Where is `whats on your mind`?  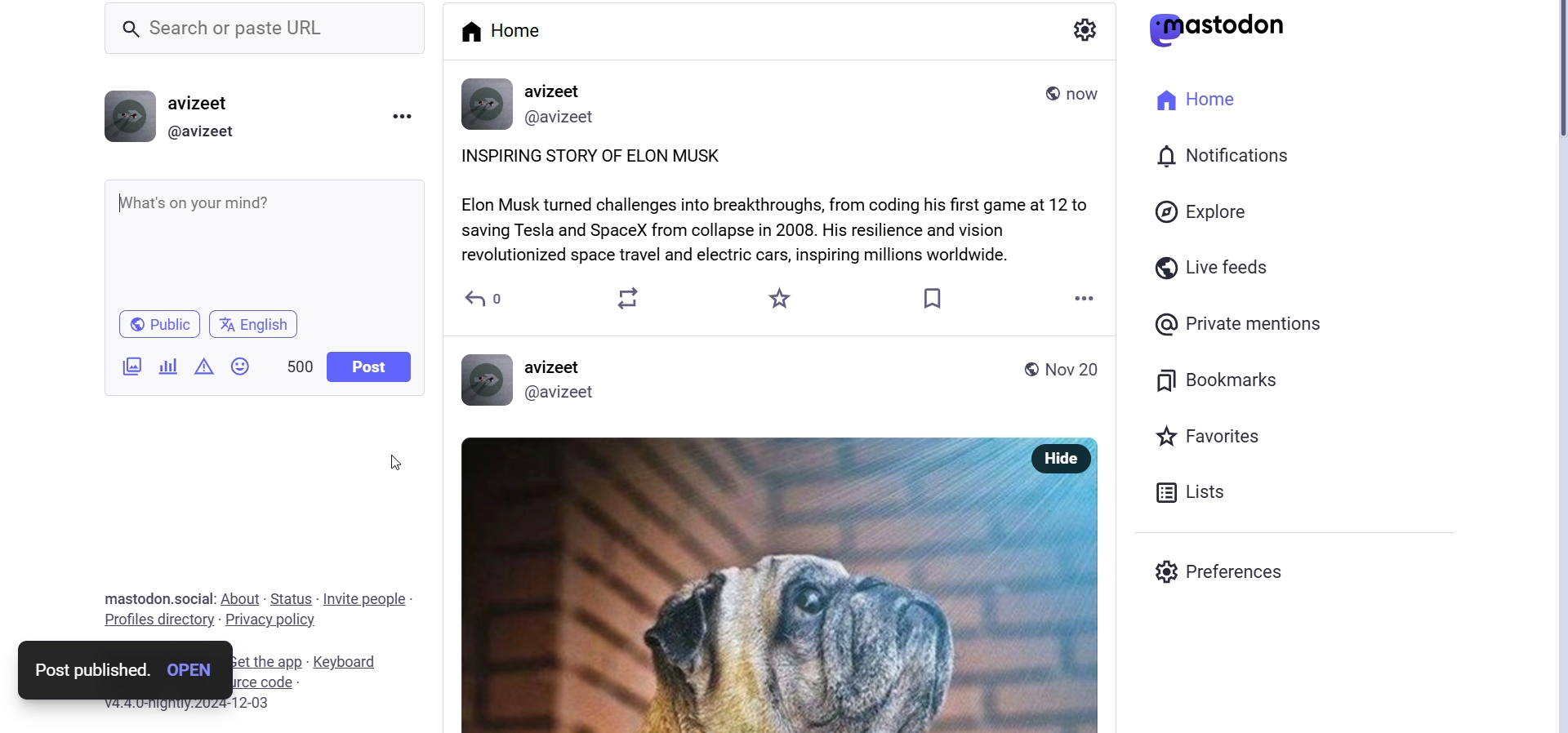 whats on your mind is located at coordinates (263, 243).